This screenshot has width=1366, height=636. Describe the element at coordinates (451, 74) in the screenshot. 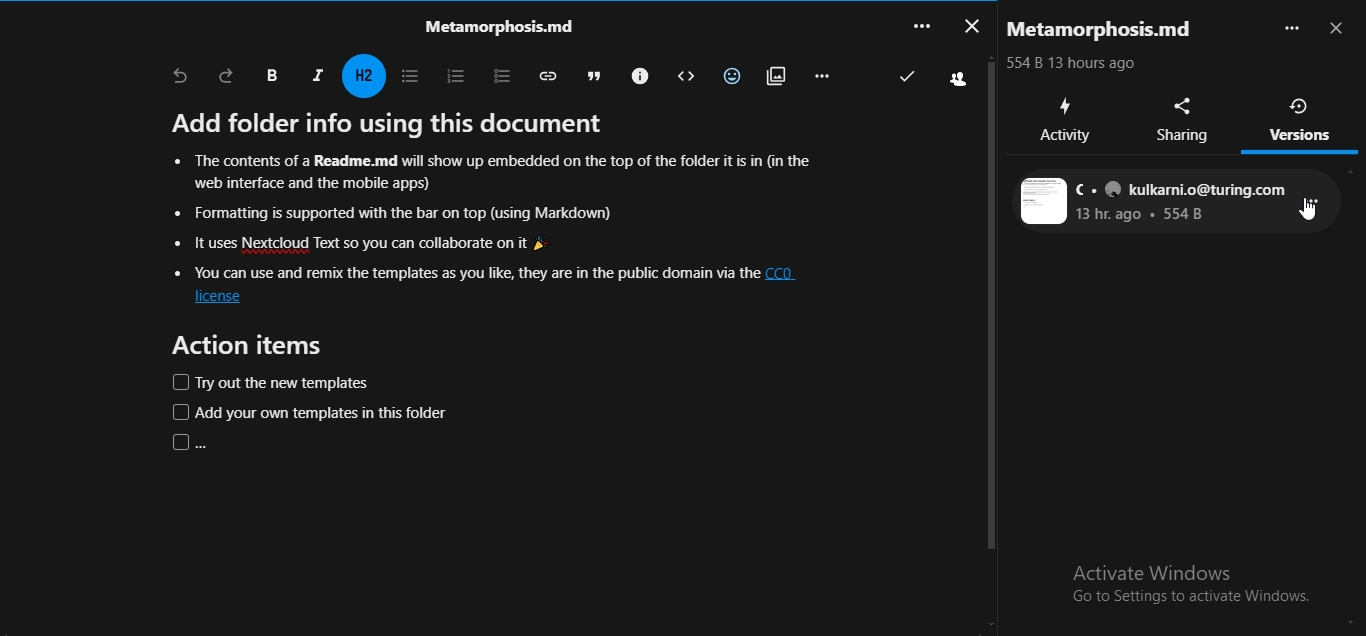

I see `ordered list` at that location.